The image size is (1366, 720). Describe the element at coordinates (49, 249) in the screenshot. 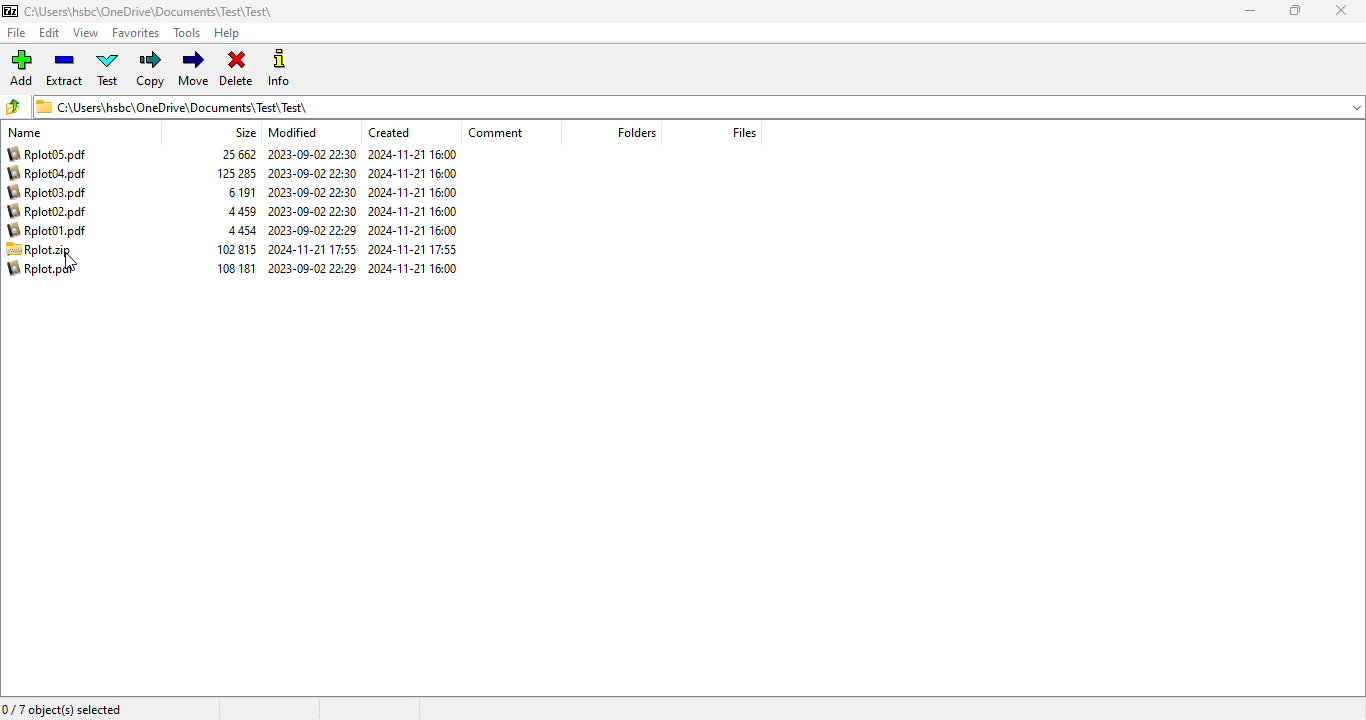

I see `Rplot.zip ` at that location.